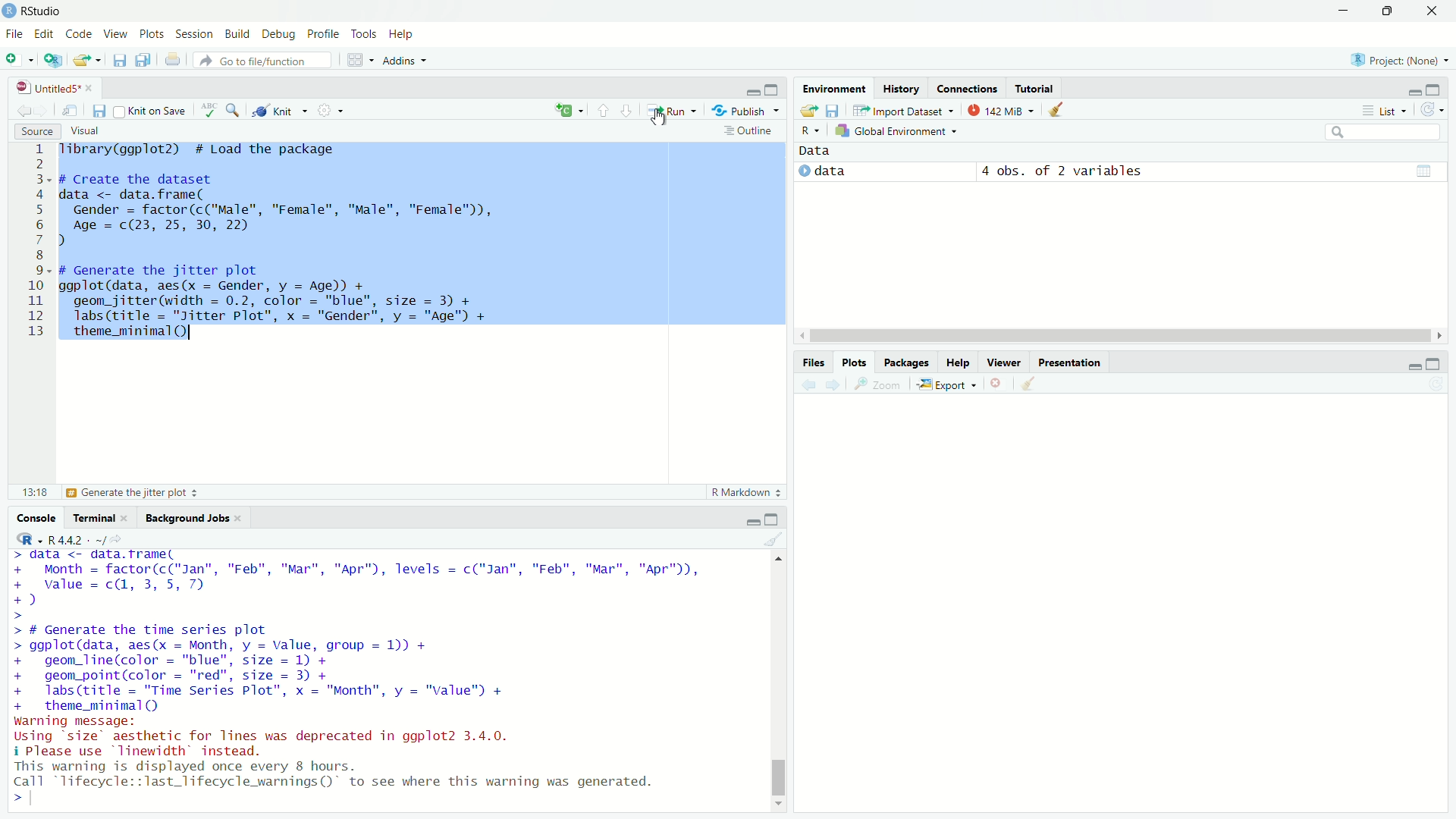  What do you see at coordinates (776, 518) in the screenshot?
I see `maximize` at bounding box center [776, 518].